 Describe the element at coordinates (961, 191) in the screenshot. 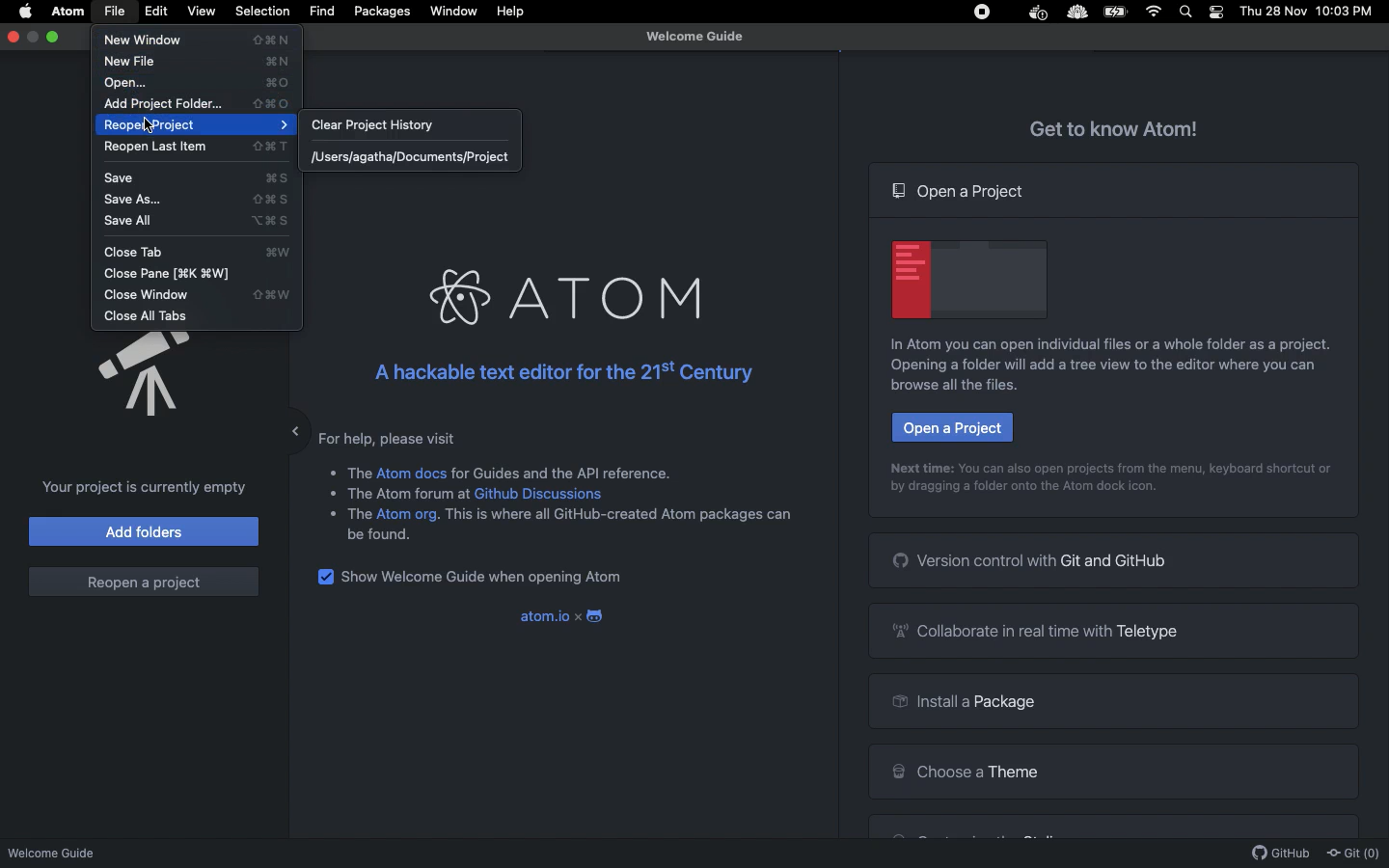

I see `Open a project` at that location.